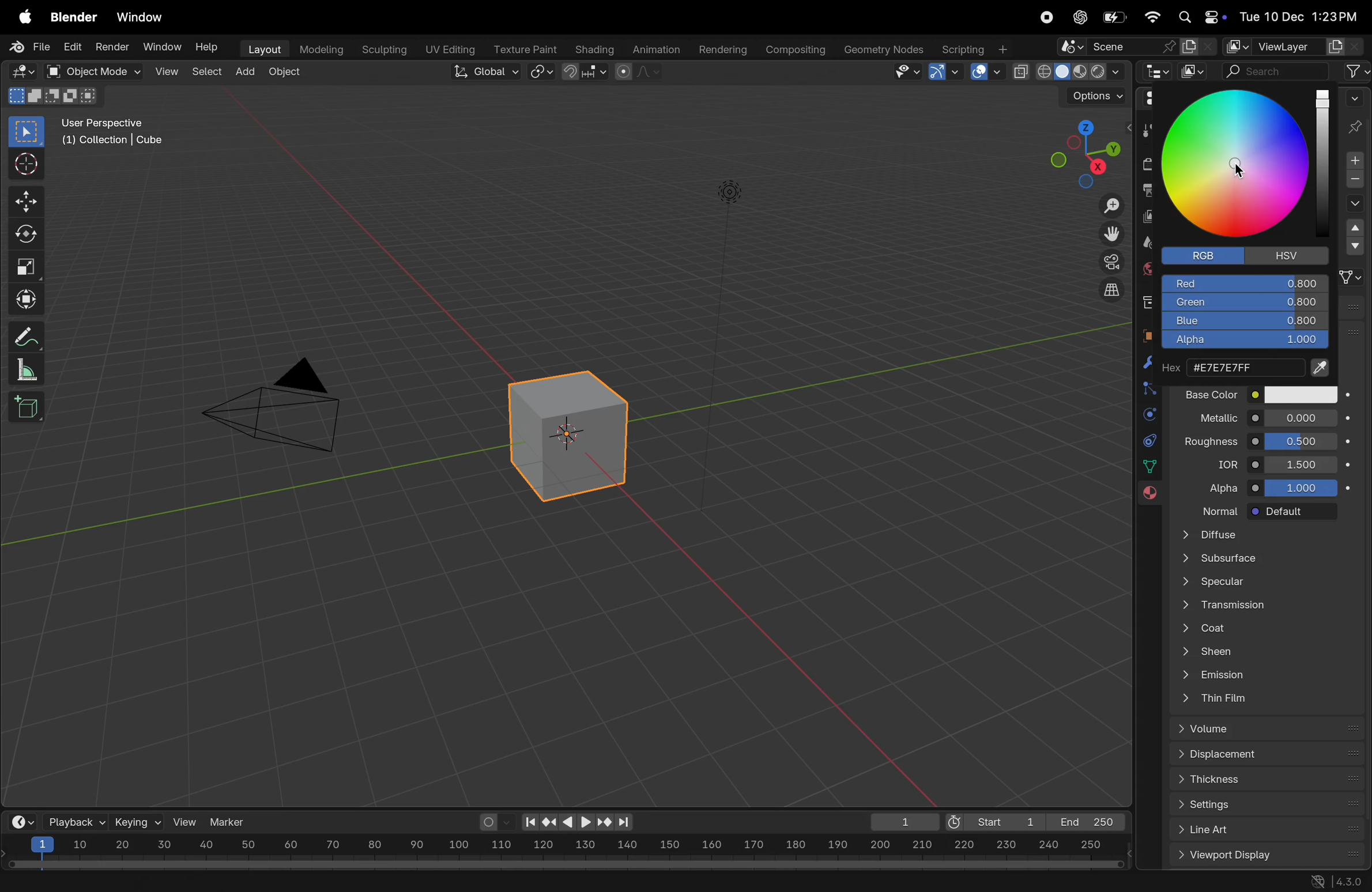 The image size is (1372, 892). What do you see at coordinates (905, 73) in the screenshot?
I see `visibility` at bounding box center [905, 73].